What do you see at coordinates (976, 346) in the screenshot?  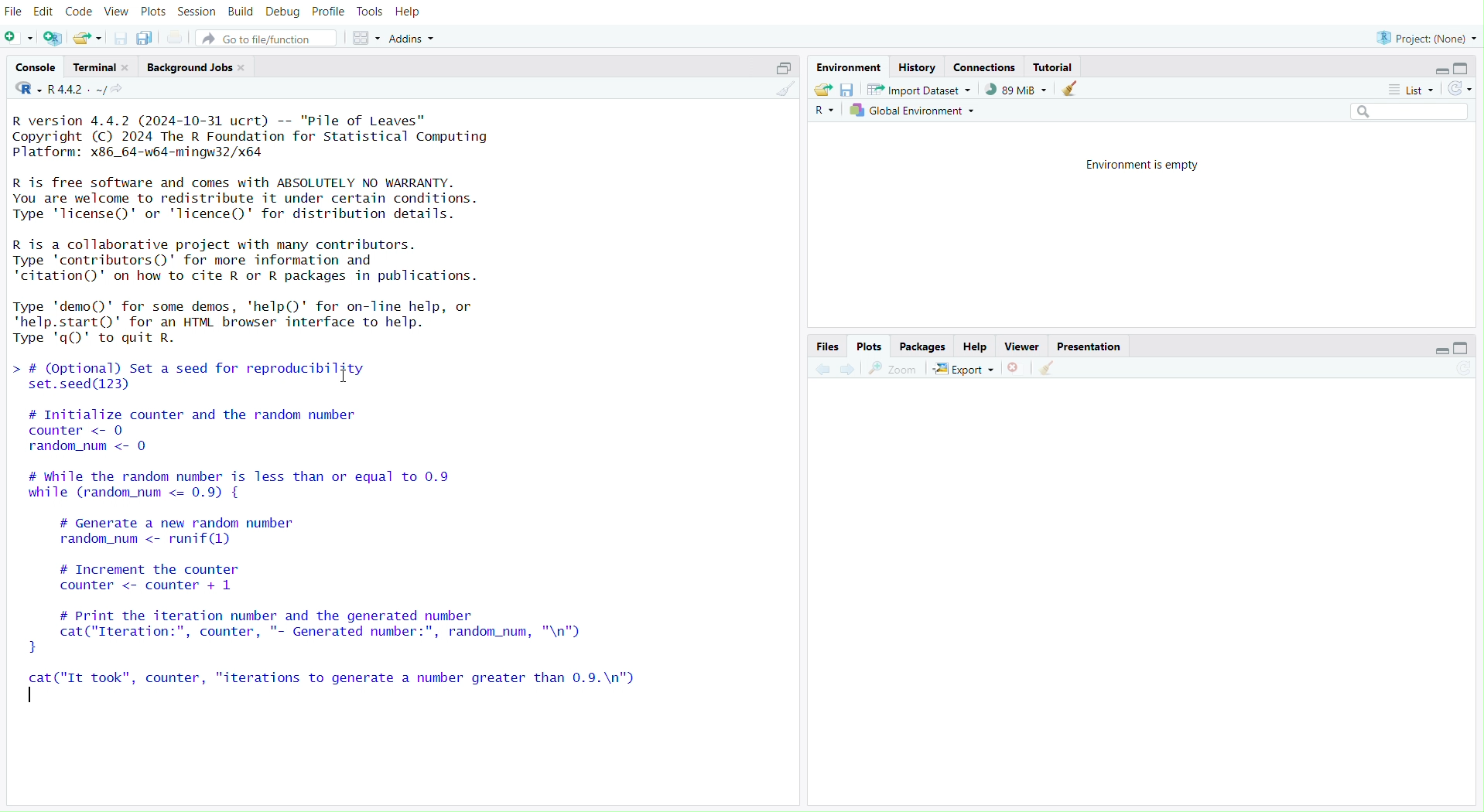 I see `Help` at bounding box center [976, 346].